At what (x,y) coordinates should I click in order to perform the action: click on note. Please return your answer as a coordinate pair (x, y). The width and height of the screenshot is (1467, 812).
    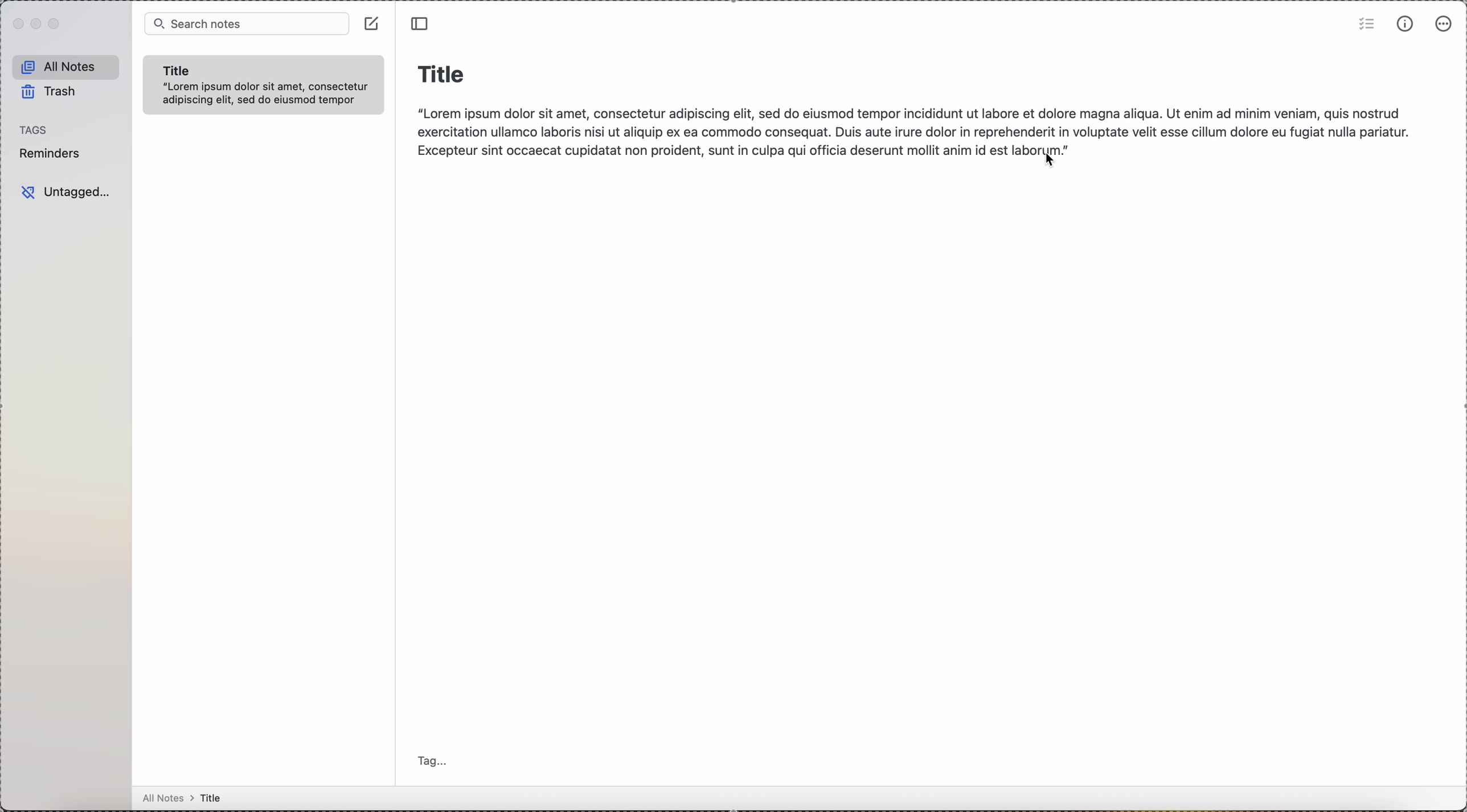
    Looking at the image, I should click on (266, 84).